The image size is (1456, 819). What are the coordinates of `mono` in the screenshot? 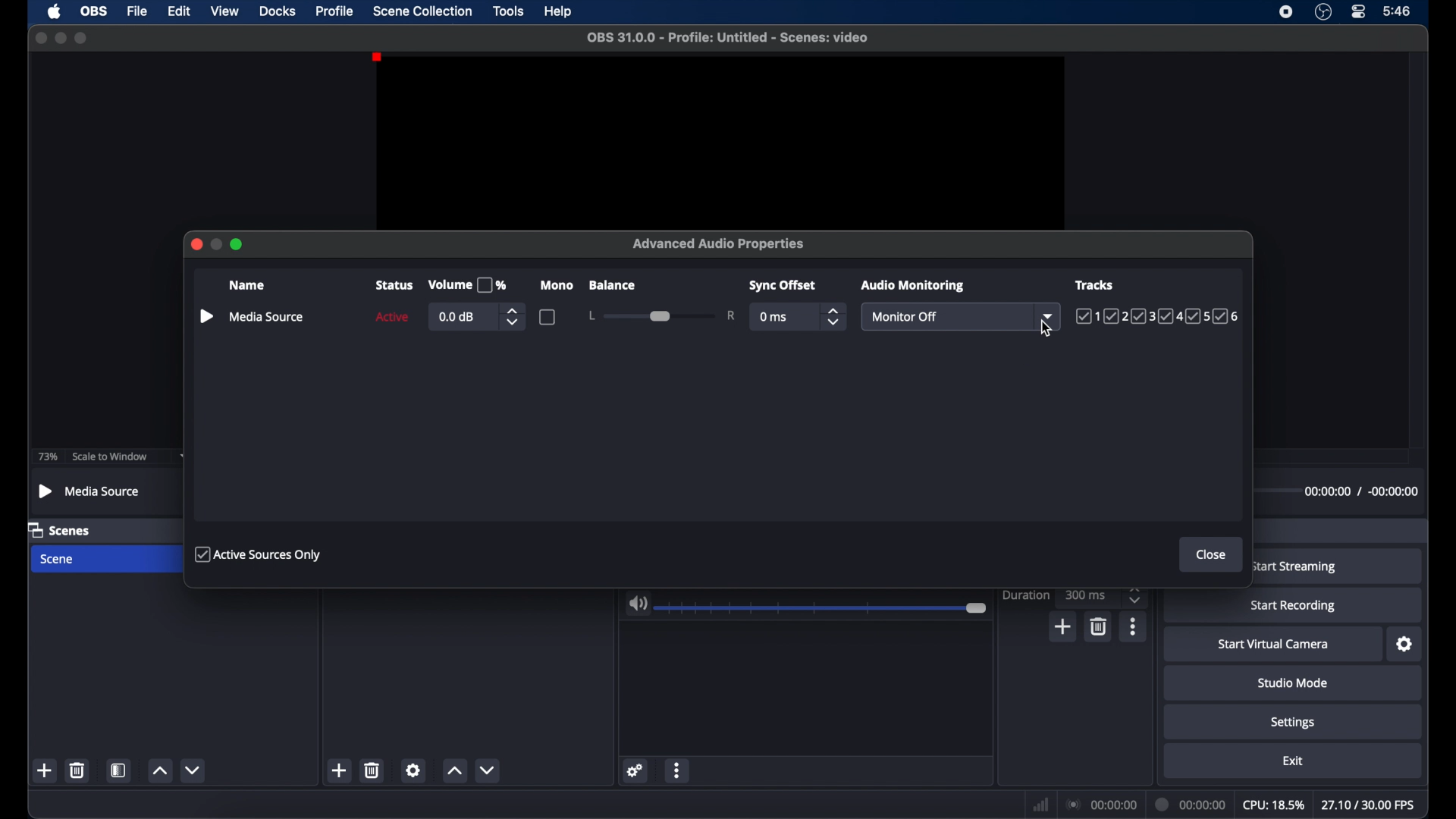 It's located at (558, 285).